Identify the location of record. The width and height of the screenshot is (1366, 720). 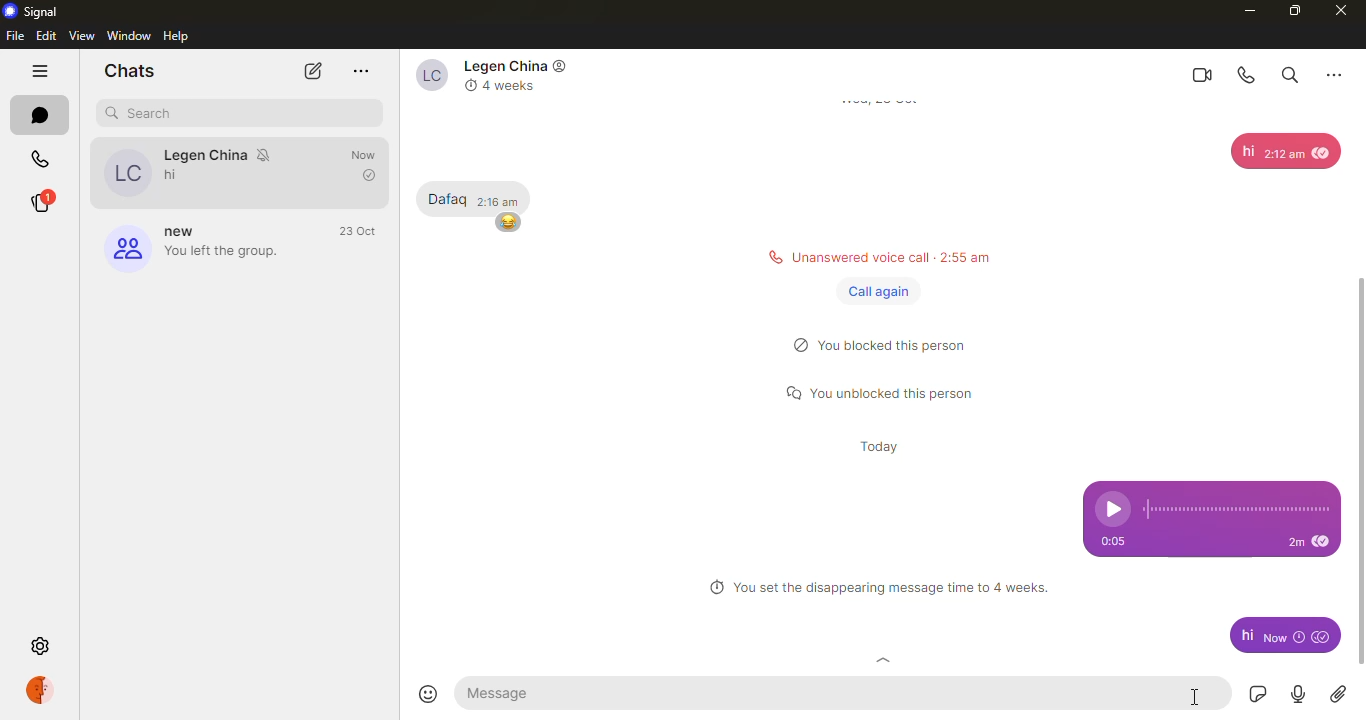
(1295, 695).